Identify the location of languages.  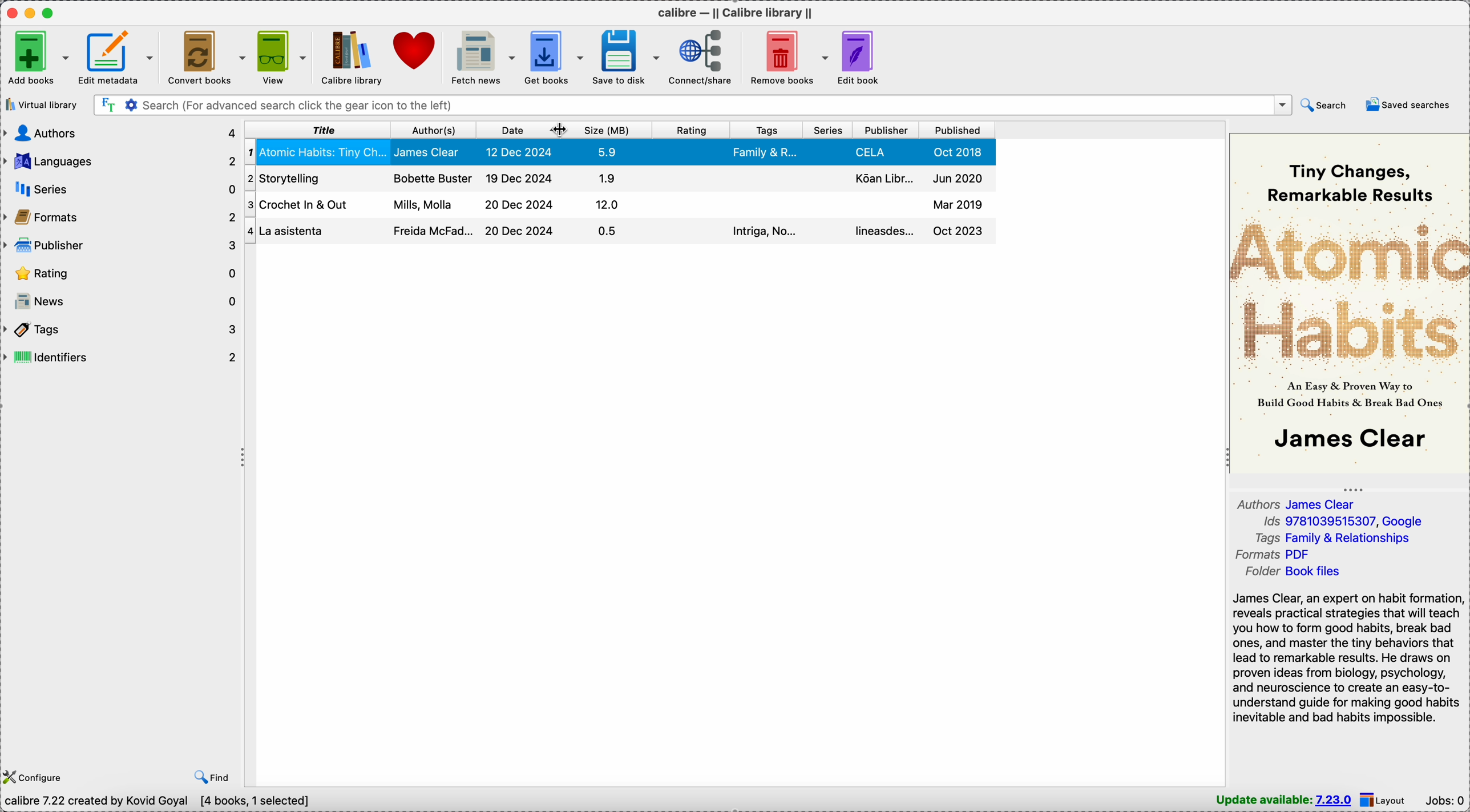
(122, 159).